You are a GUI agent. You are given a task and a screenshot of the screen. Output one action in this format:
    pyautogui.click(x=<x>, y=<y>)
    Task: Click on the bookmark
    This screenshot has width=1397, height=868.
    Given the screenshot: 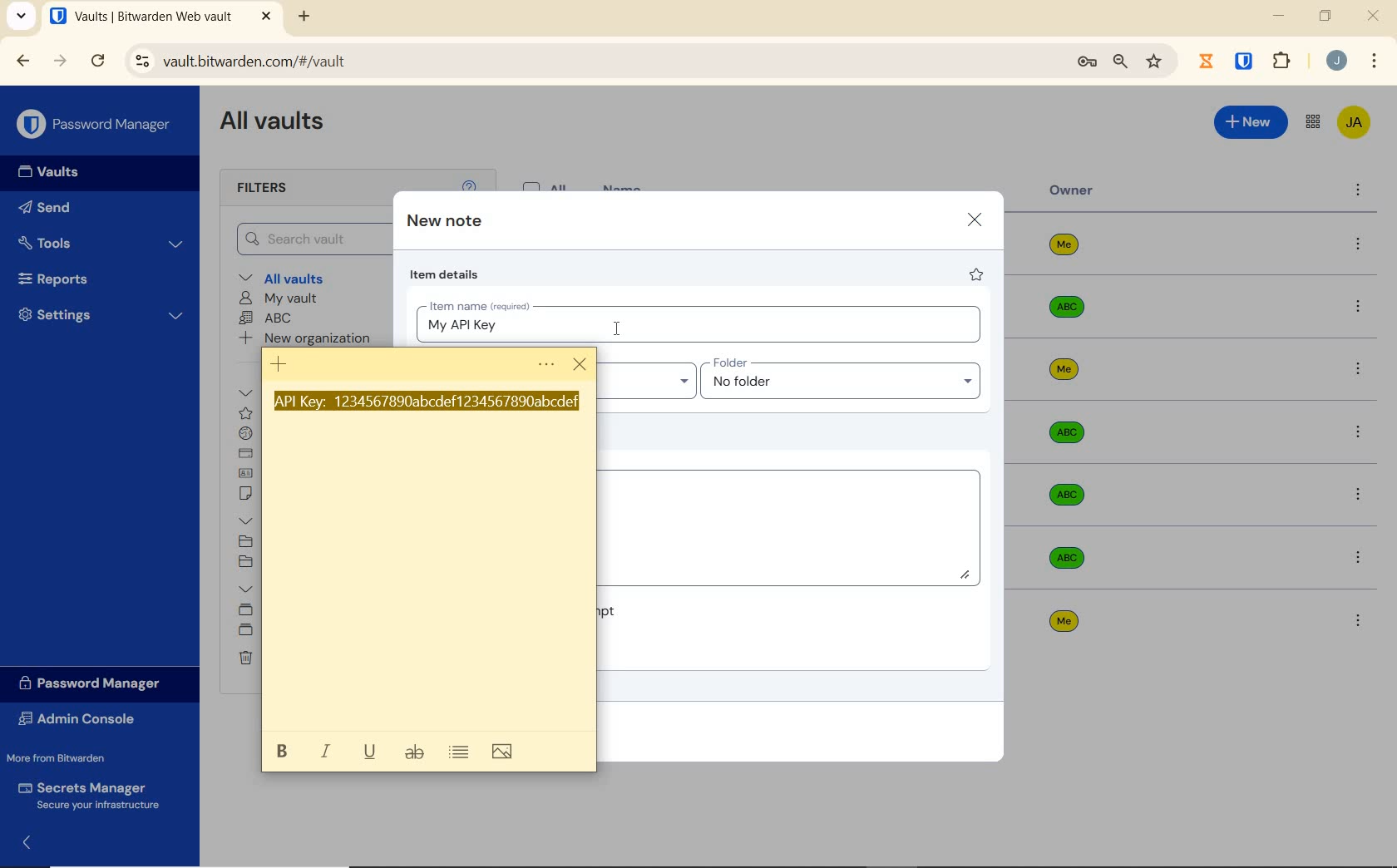 What is the action you would take?
    pyautogui.click(x=1154, y=62)
    